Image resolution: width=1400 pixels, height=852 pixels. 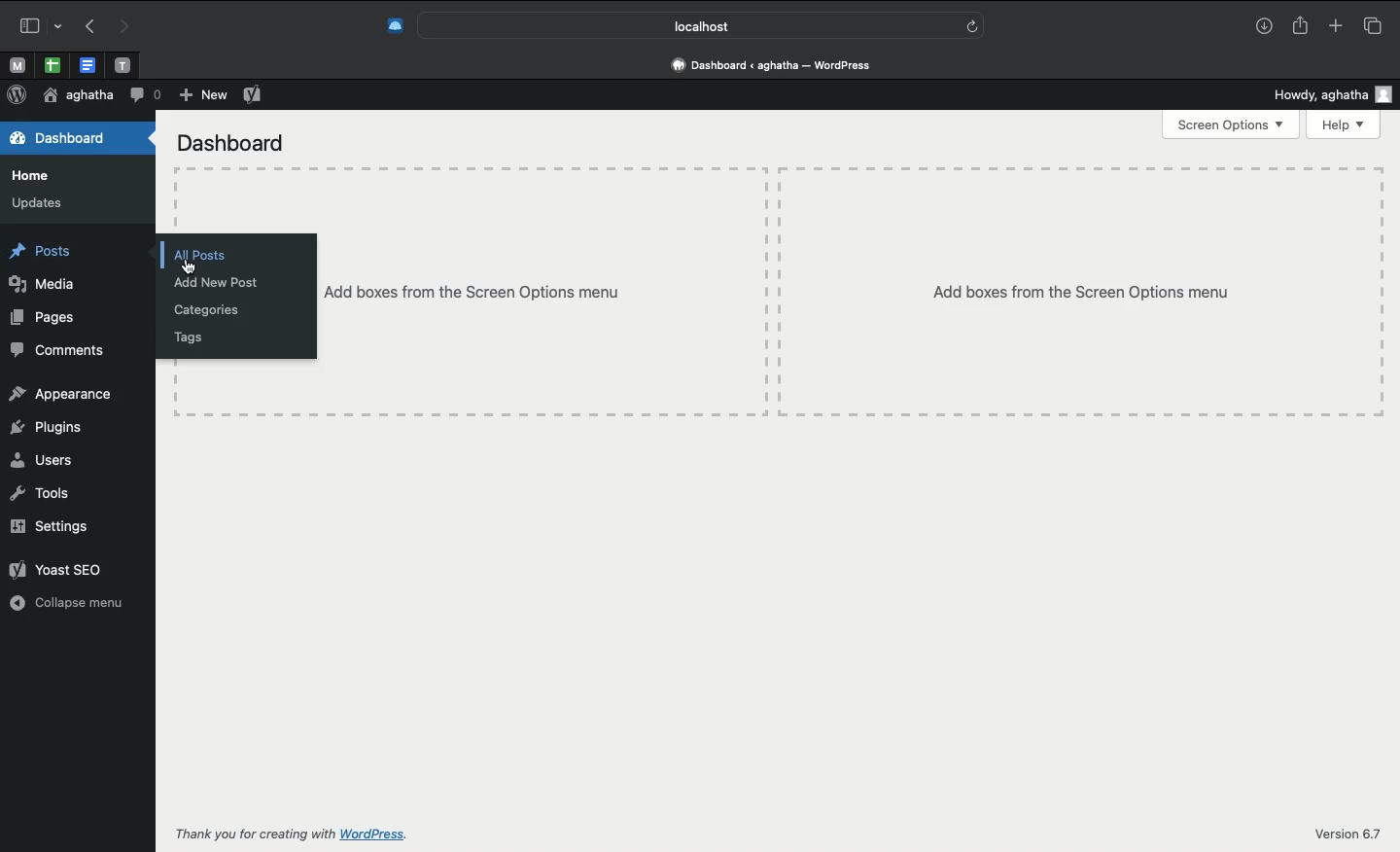 I want to click on Appearance, so click(x=65, y=393).